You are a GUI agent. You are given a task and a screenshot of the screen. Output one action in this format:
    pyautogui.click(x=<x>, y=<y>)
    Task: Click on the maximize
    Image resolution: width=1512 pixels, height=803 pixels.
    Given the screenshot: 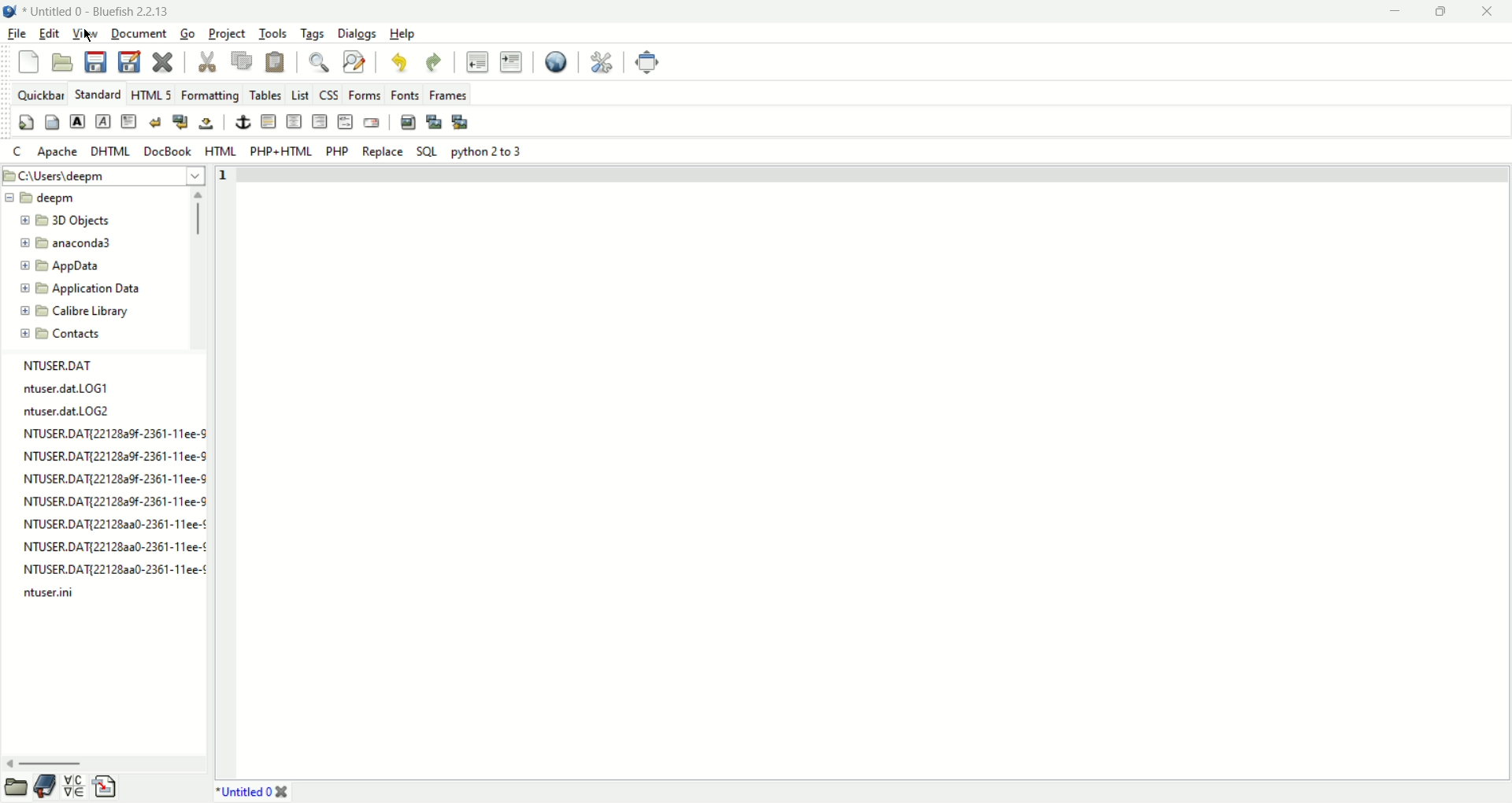 What is the action you would take?
    pyautogui.click(x=1445, y=13)
    